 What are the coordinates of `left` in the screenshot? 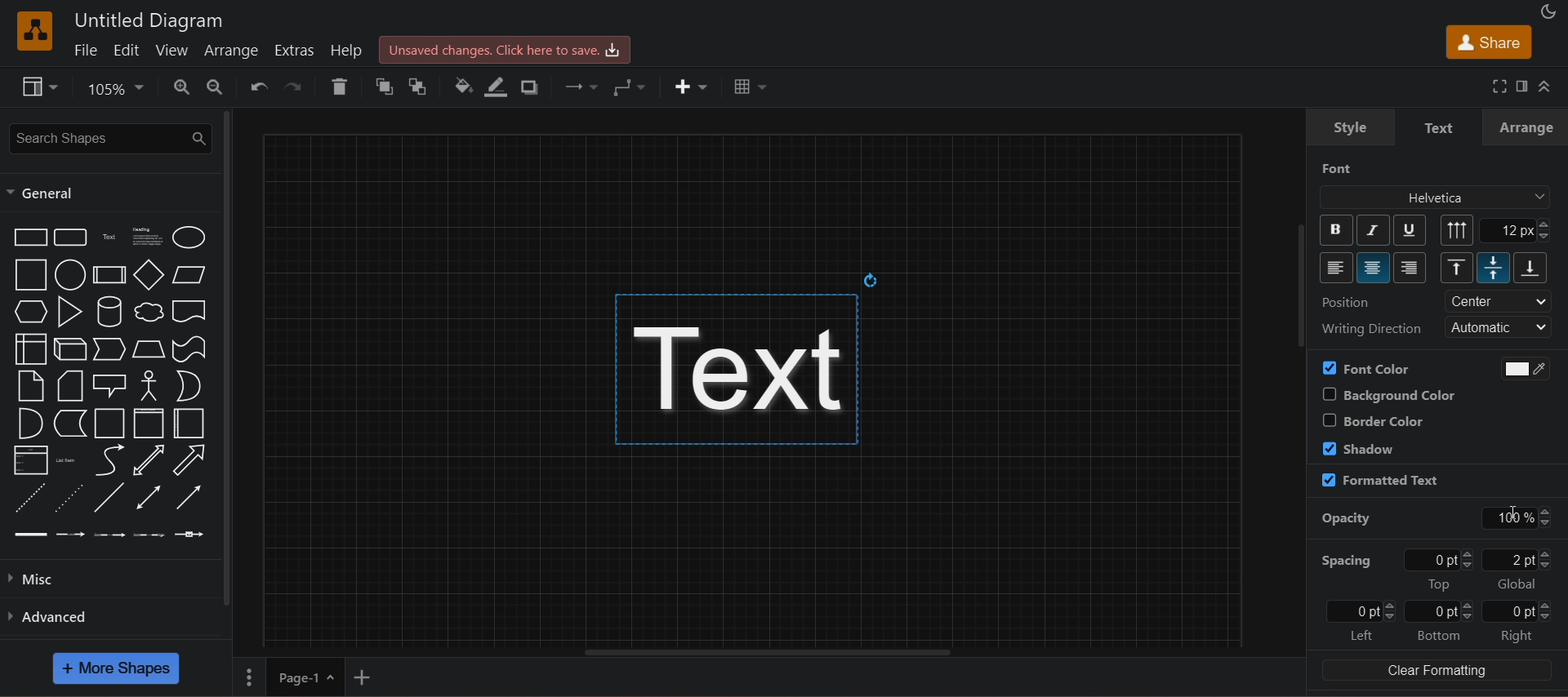 It's located at (1337, 268).